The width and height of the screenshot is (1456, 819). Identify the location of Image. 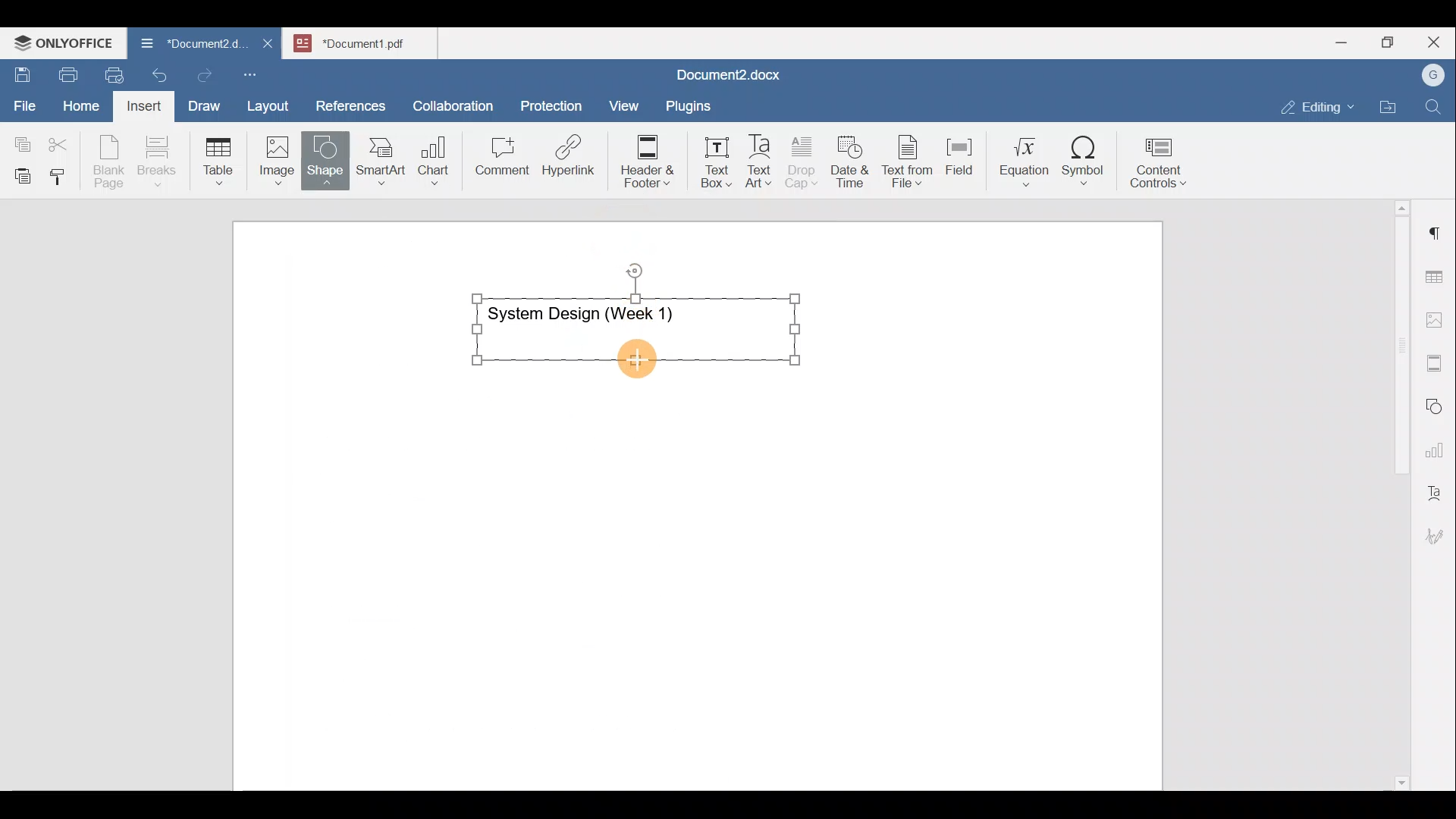
(281, 155).